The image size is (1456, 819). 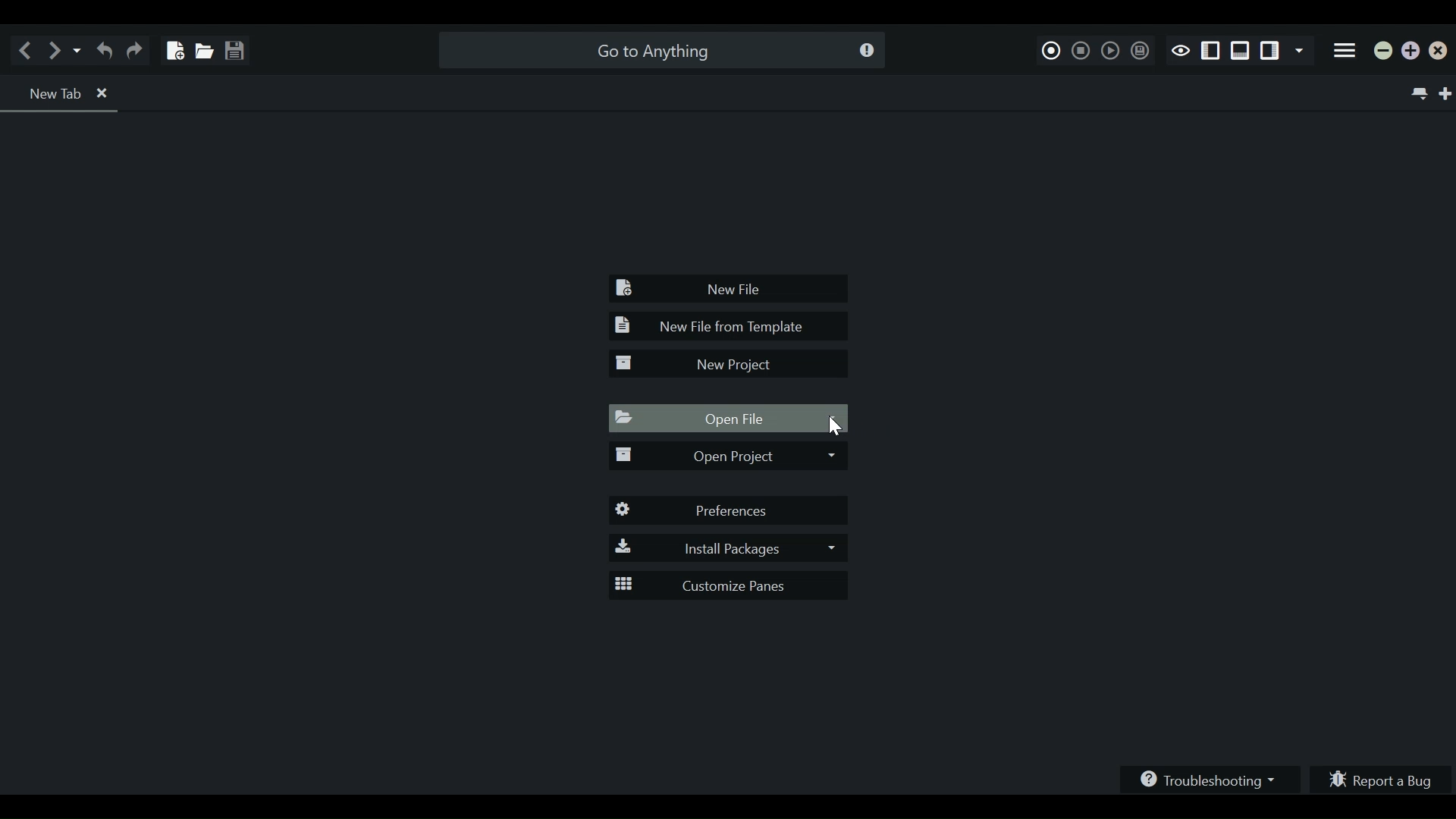 I want to click on New Tab, so click(x=1447, y=93).